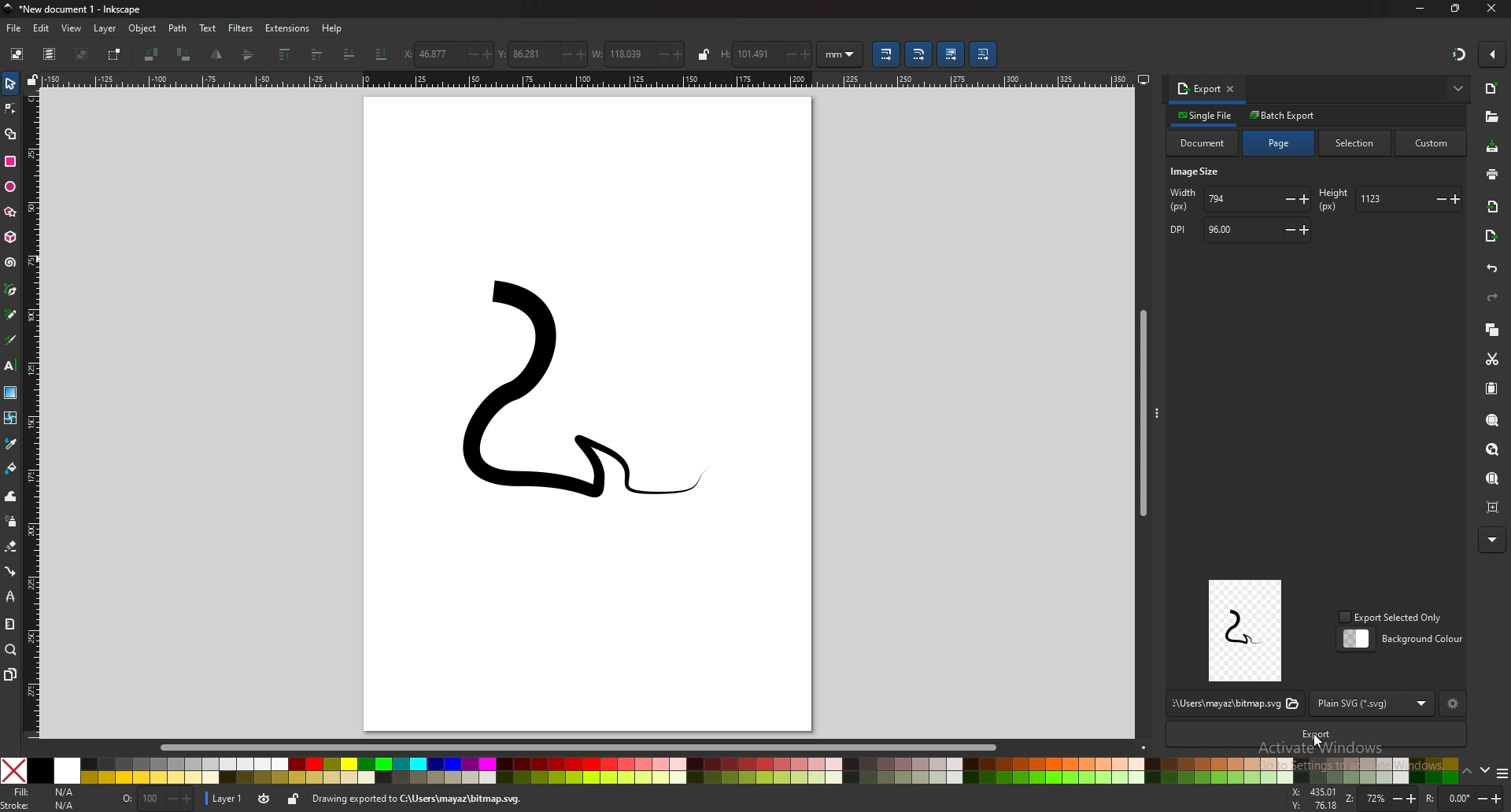 The image size is (1511, 812). I want to click on preview, so click(1246, 630).